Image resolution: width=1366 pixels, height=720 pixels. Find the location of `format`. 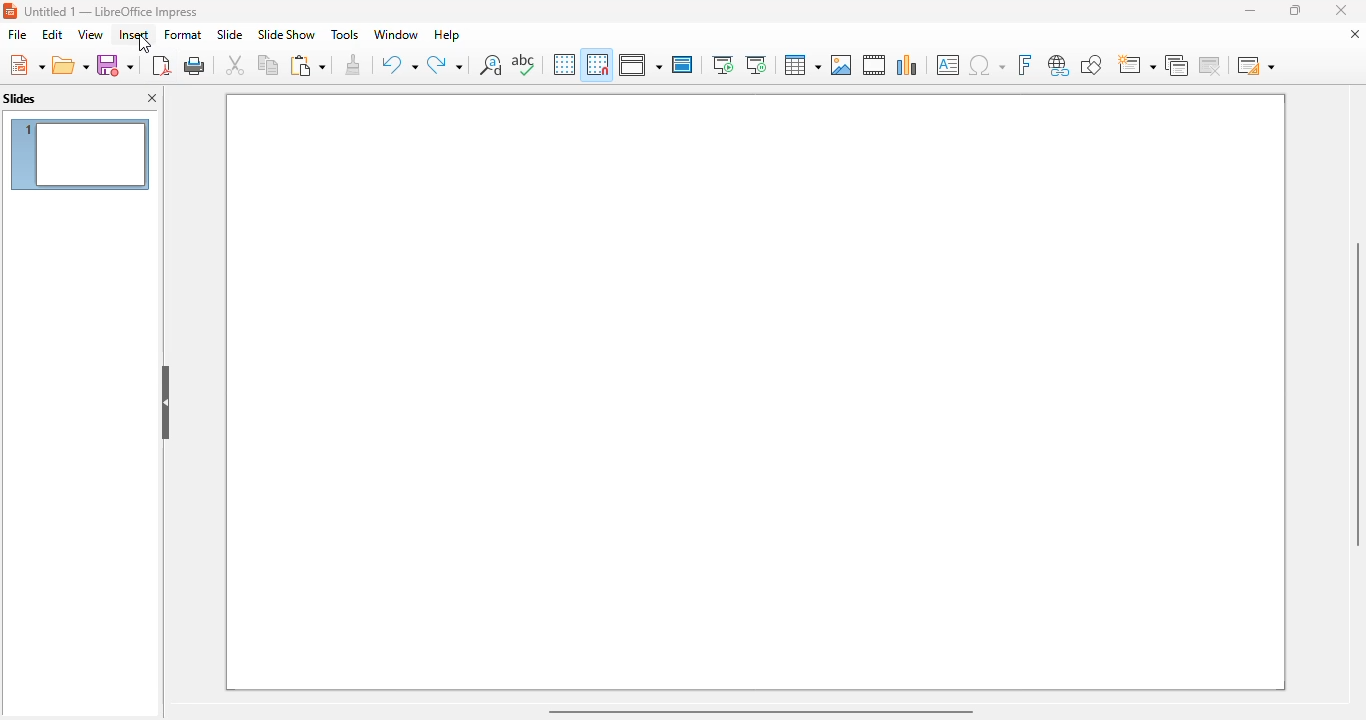

format is located at coordinates (183, 34).